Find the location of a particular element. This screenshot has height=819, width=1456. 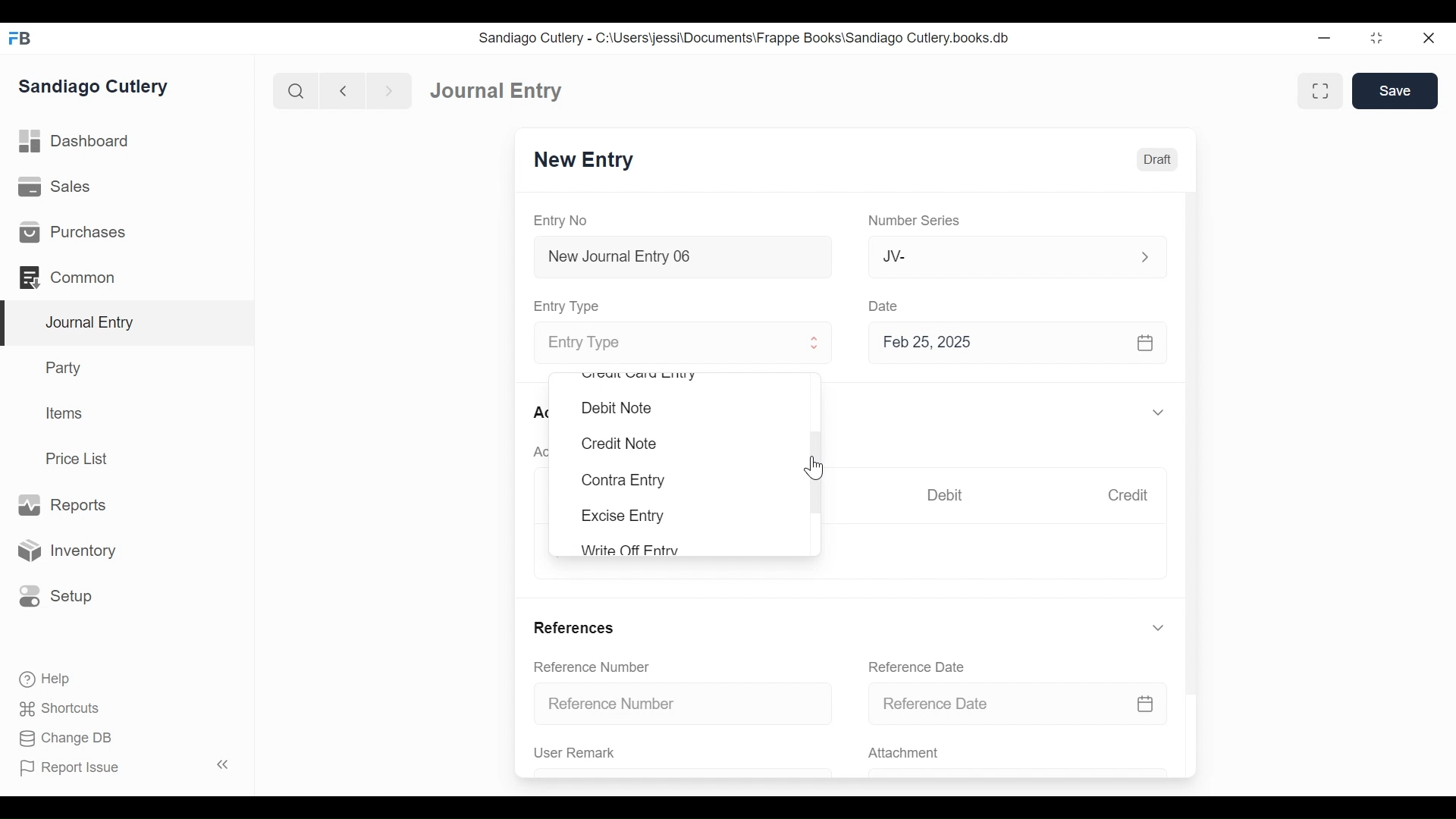

Dashboard is located at coordinates (76, 142).